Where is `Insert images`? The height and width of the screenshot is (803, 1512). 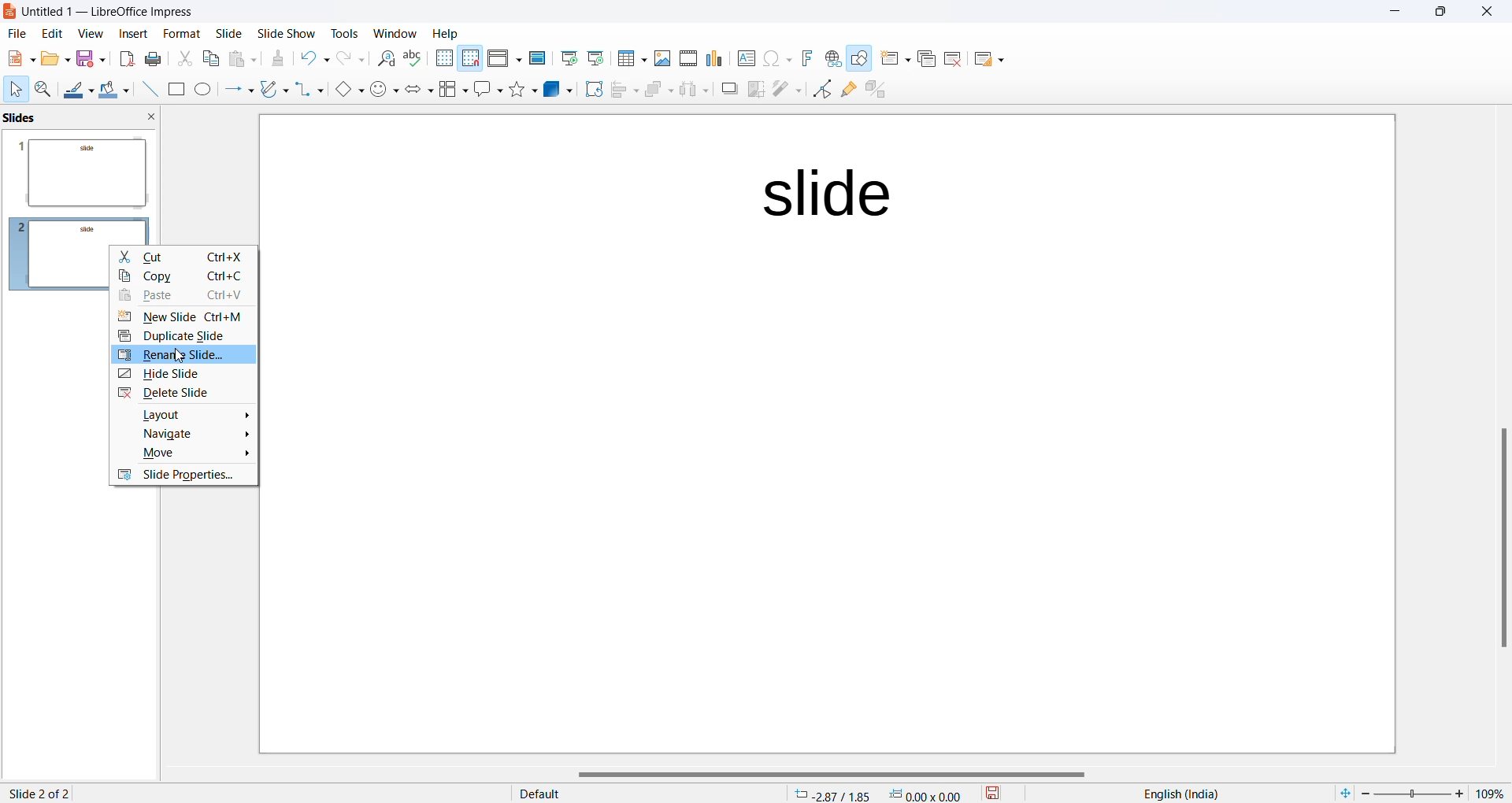
Insert images is located at coordinates (660, 57).